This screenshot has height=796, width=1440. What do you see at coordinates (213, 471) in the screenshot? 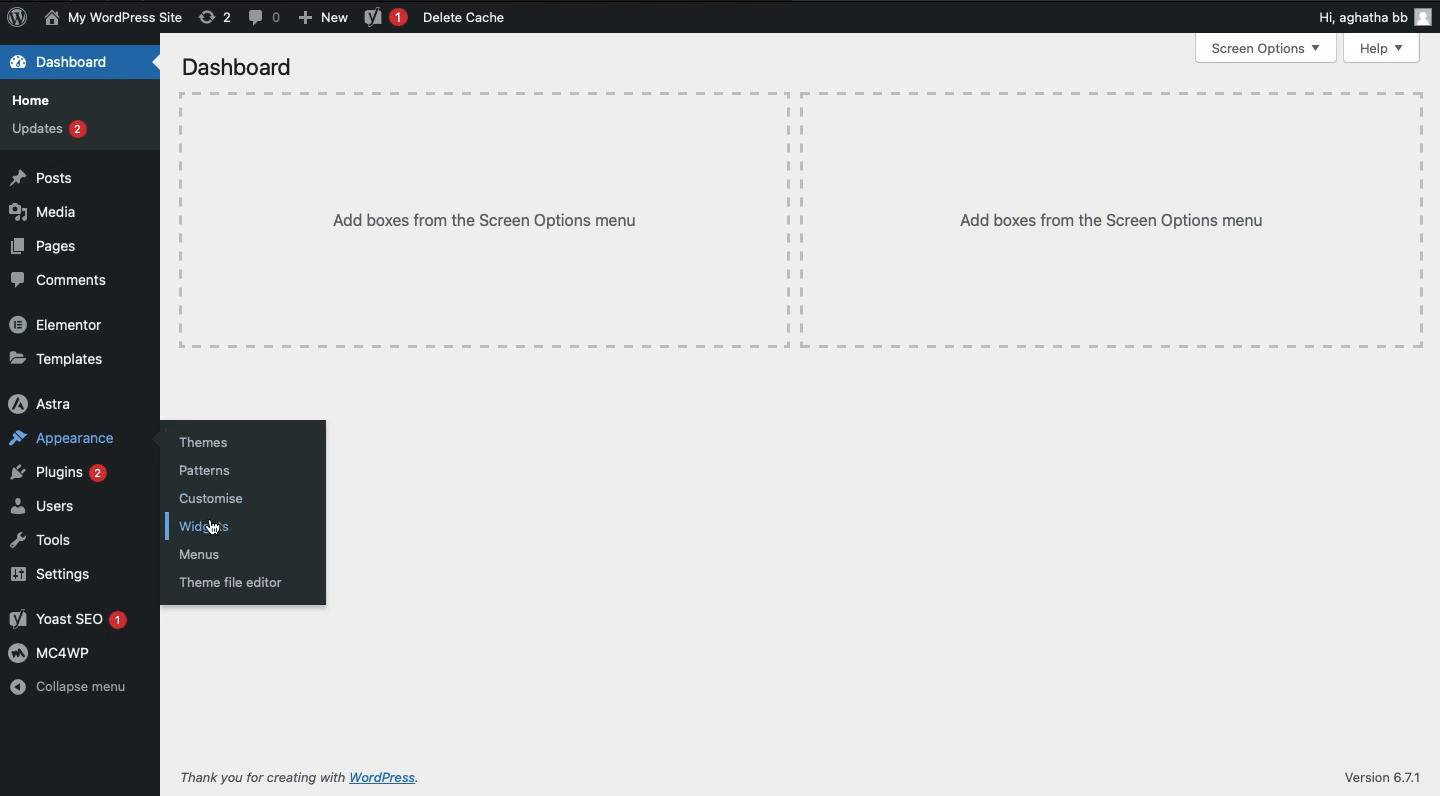
I see `Patterns` at bounding box center [213, 471].